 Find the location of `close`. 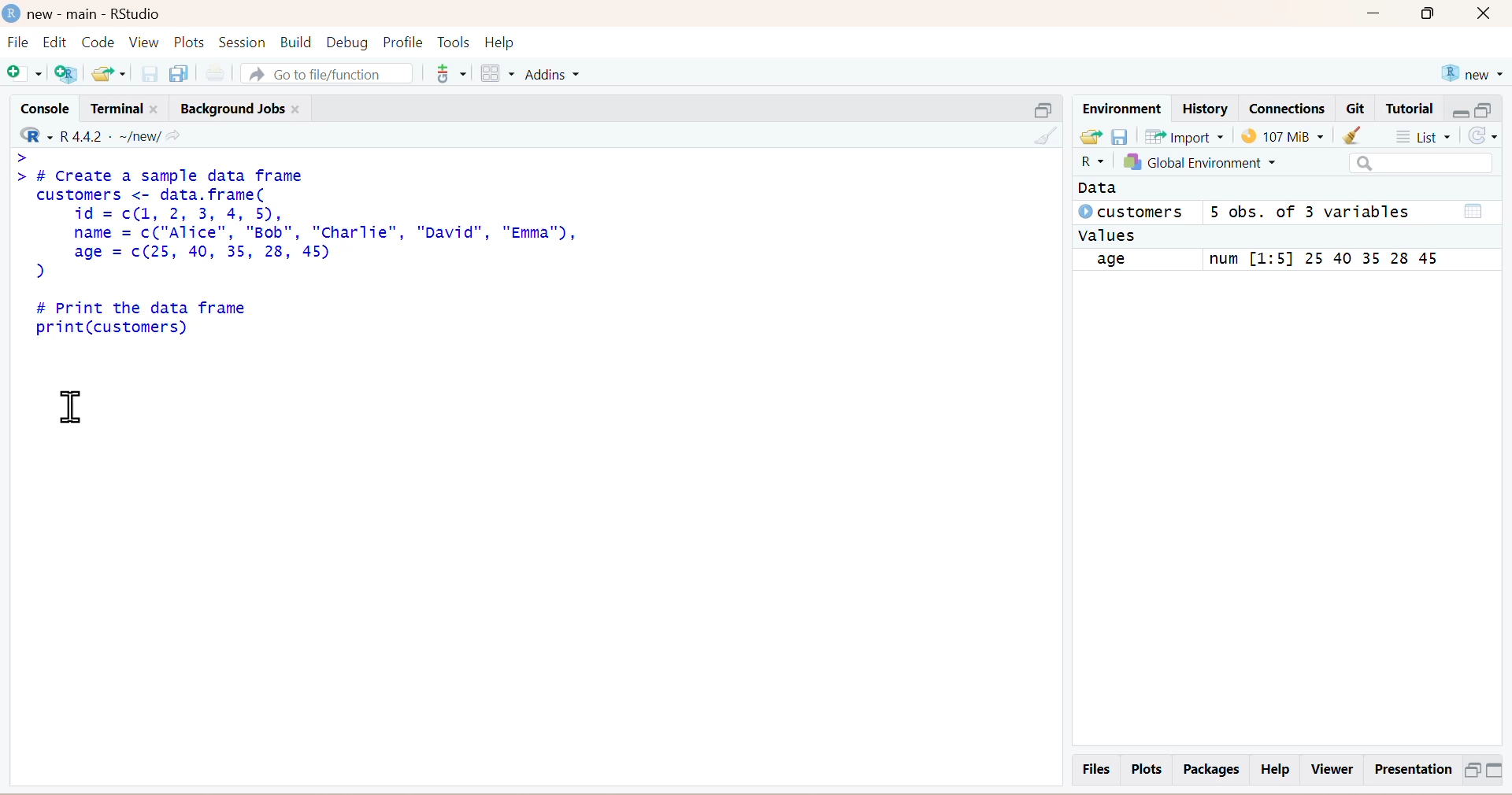

close is located at coordinates (1490, 15).